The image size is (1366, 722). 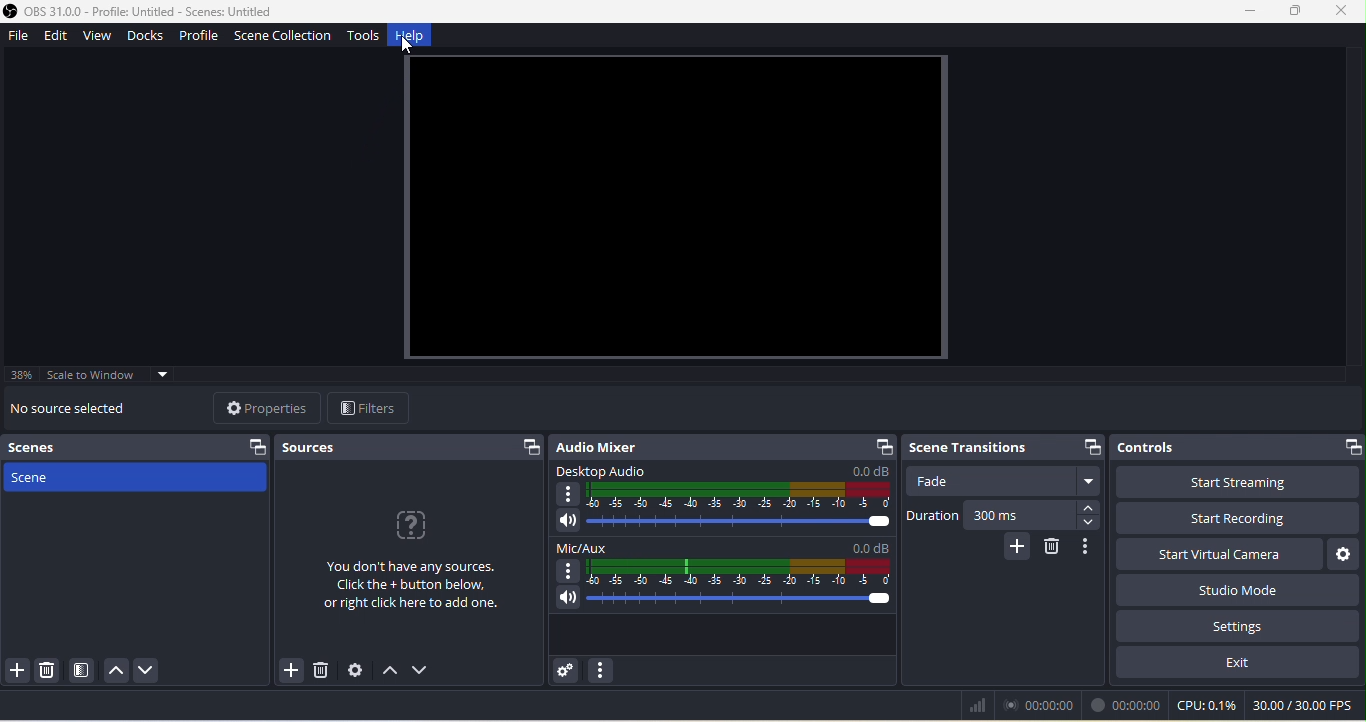 What do you see at coordinates (118, 669) in the screenshot?
I see `up` at bounding box center [118, 669].